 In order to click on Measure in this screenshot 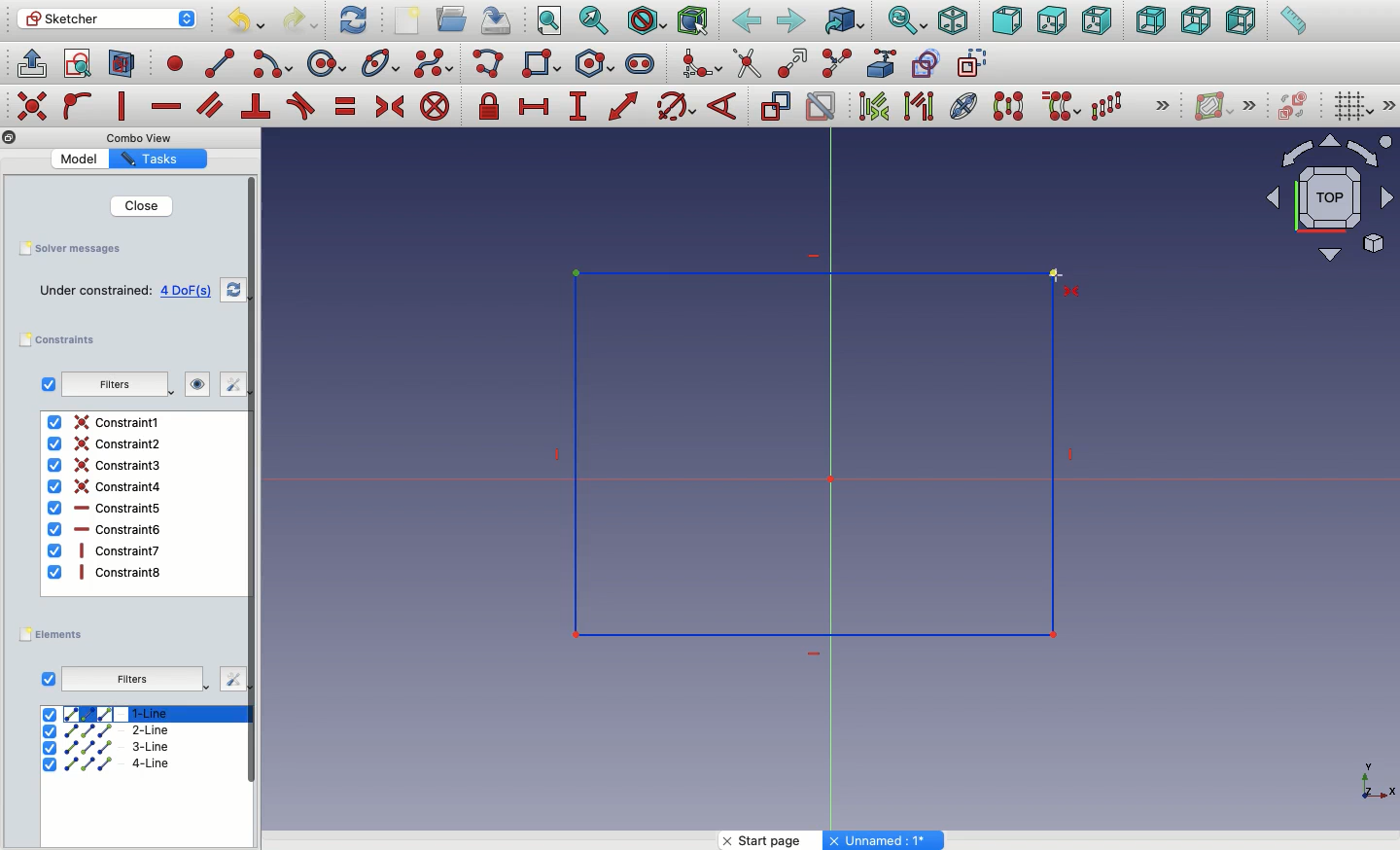, I will do `click(1292, 22)`.